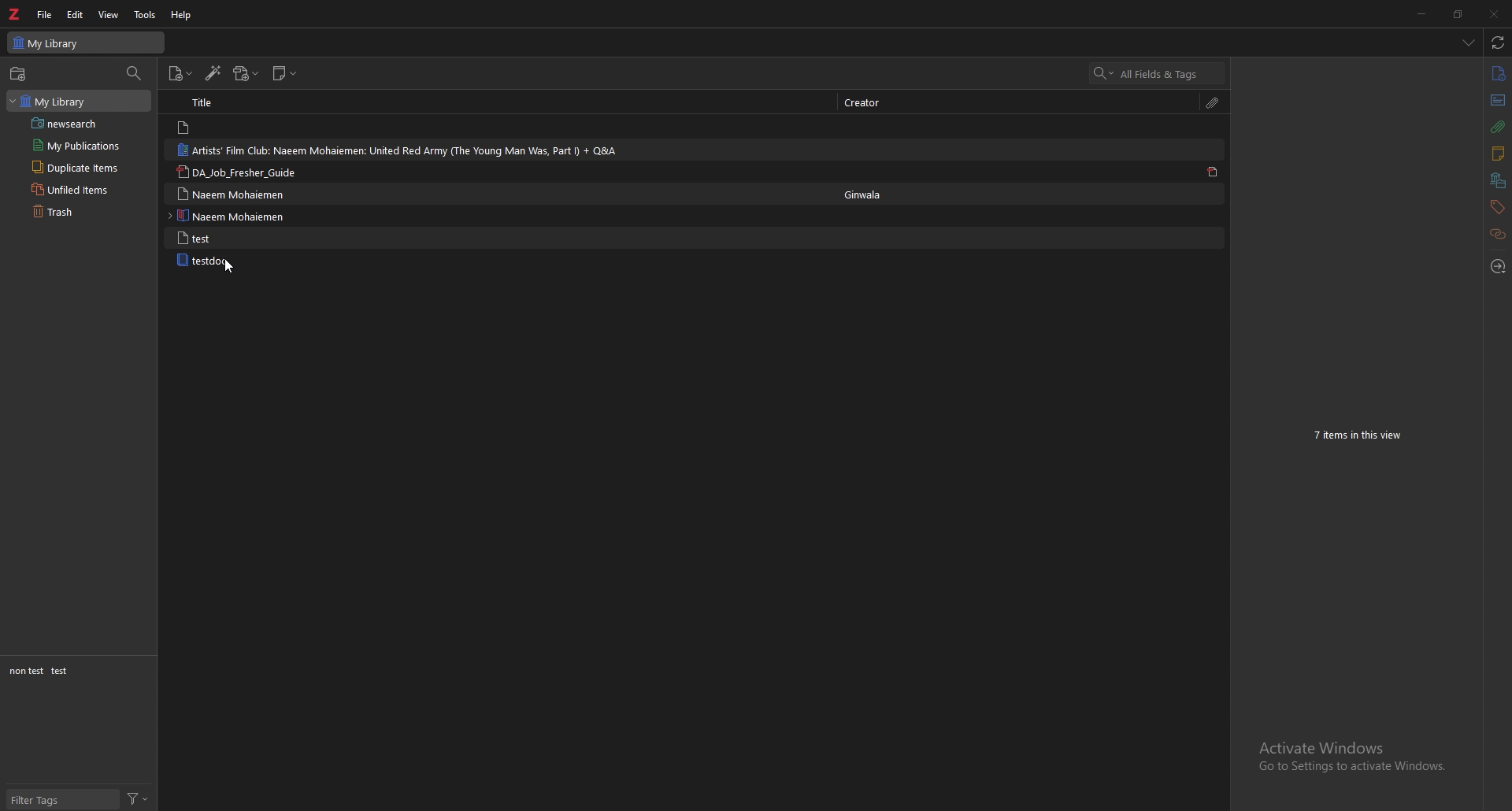 The image size is (1512, 811). What do you see at coordinates (46, 14) in the screenshot?
I see `file` at bounding box center [46, 14].